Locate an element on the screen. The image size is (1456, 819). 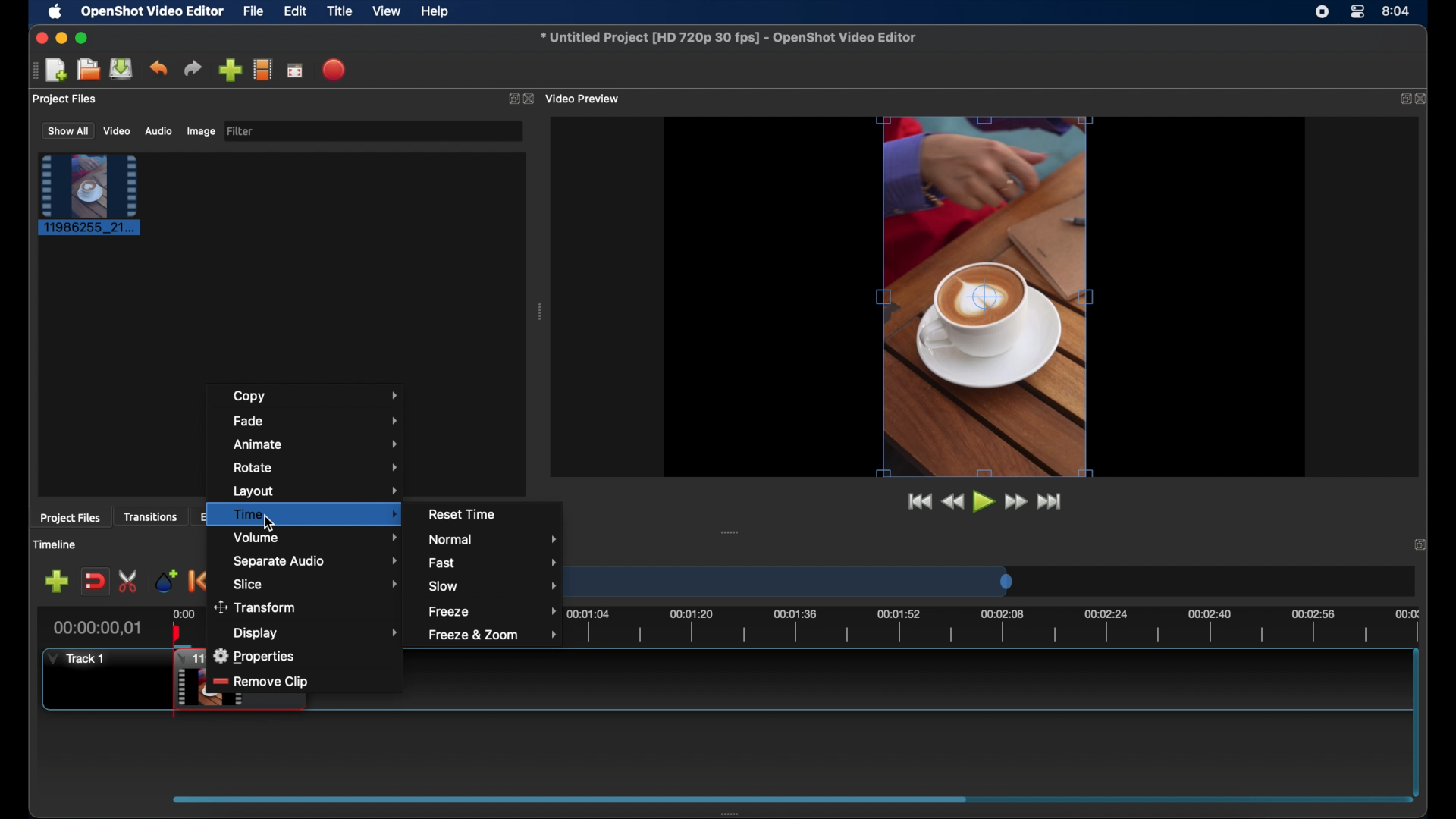
drag handle is located at coordinates (731, 532).